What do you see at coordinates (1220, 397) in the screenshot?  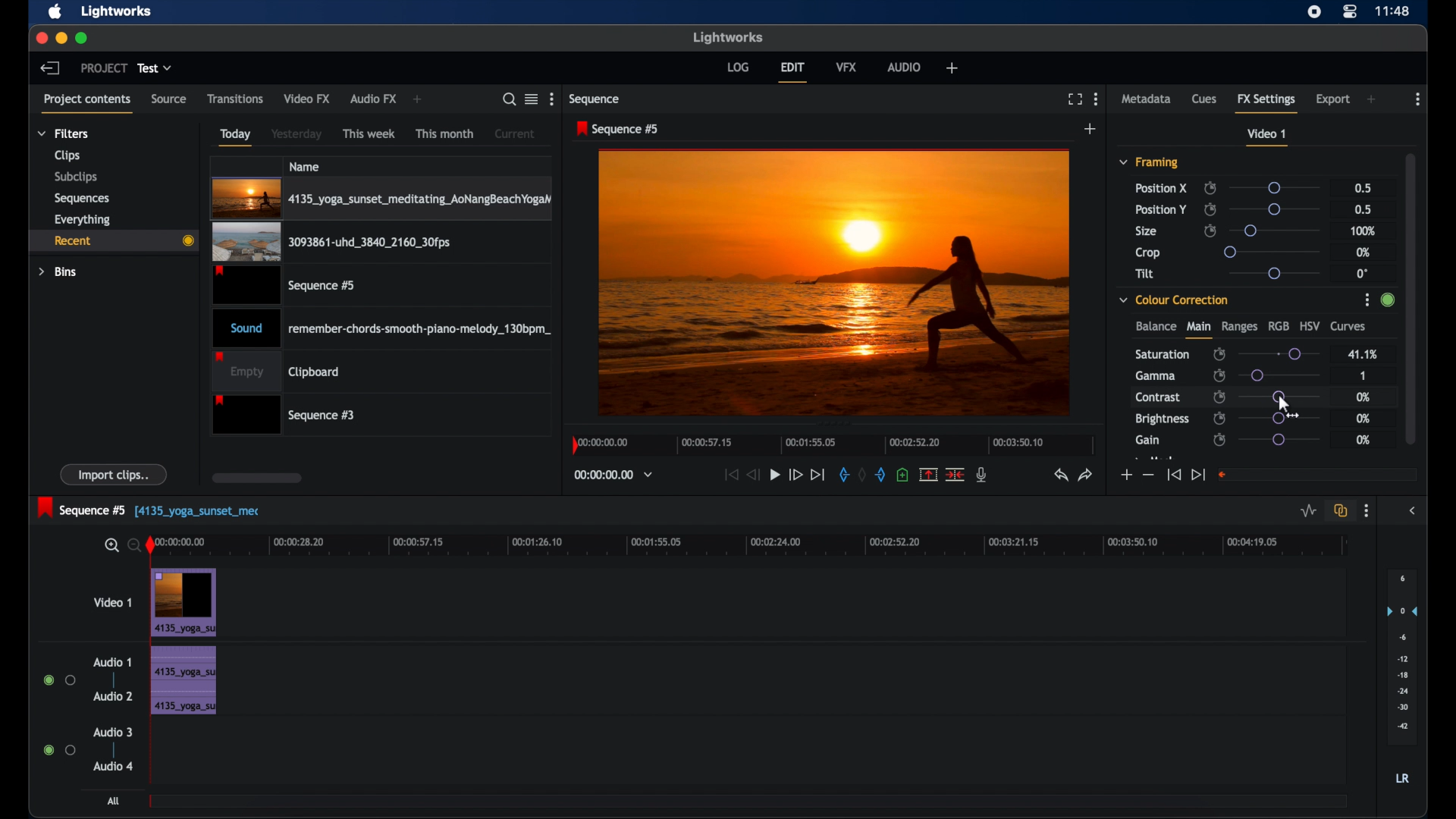 I see `enable/disable keyframes` at bounding box center [1220, 397].